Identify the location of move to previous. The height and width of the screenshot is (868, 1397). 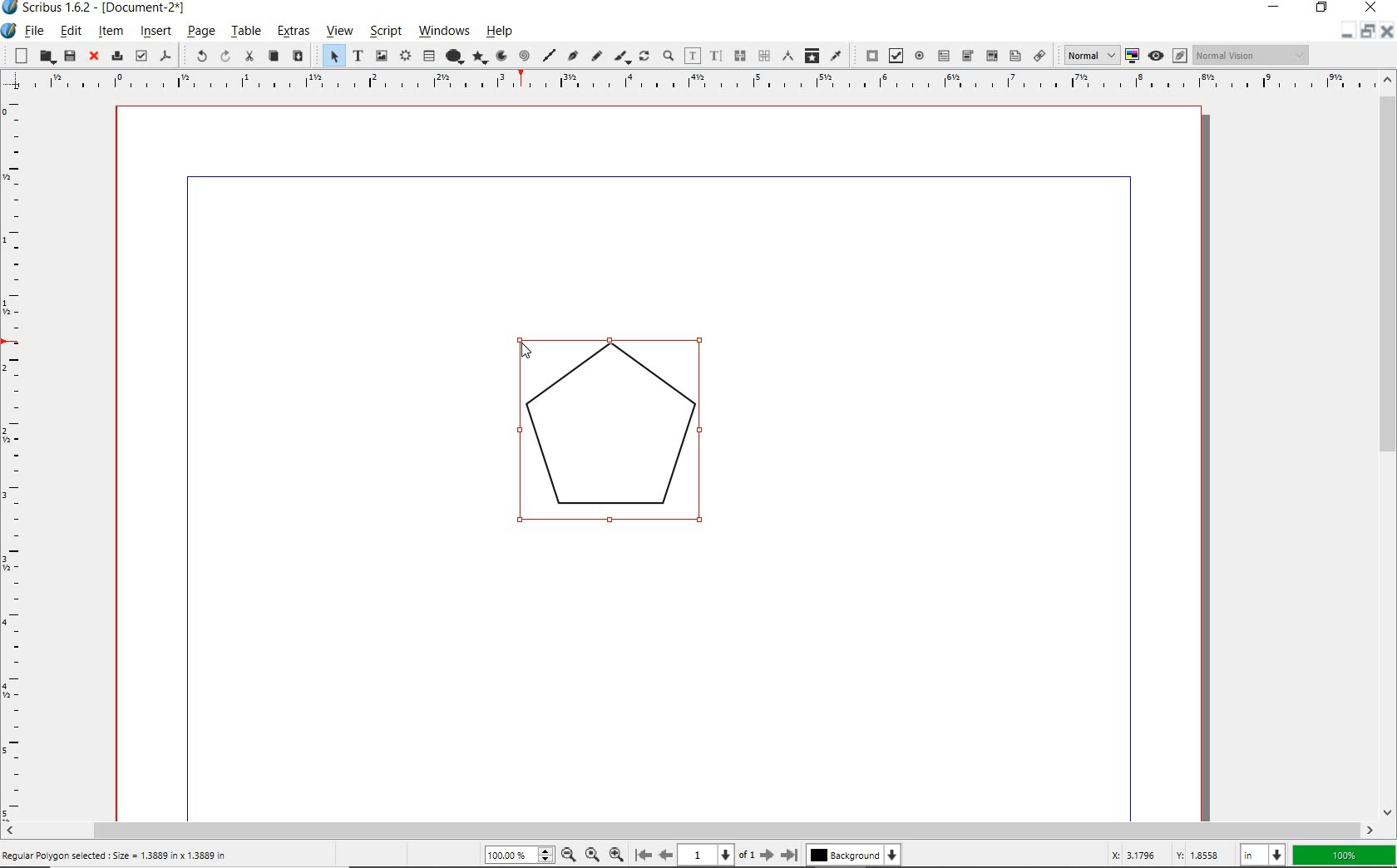
(672, 854).